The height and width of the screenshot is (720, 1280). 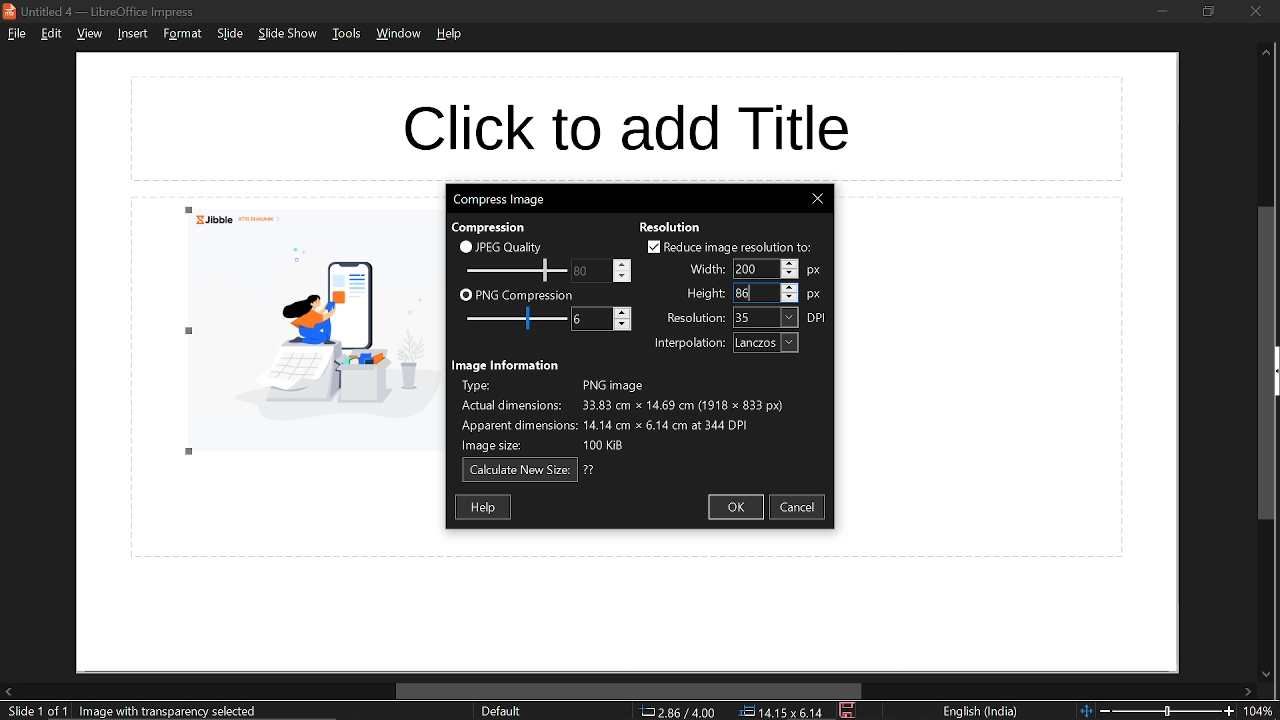 I want to click on move left, so click(x=8, y=691).